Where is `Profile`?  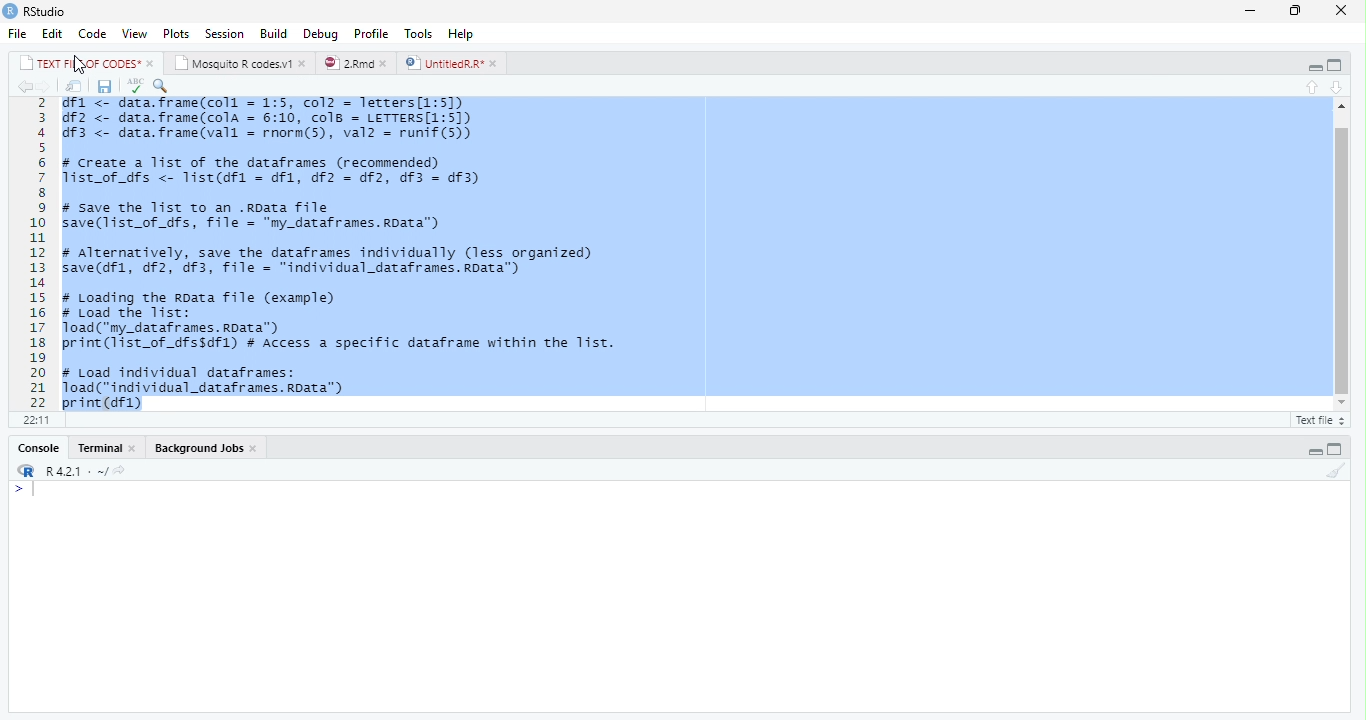 Profile is located at coordinates (372, 33).